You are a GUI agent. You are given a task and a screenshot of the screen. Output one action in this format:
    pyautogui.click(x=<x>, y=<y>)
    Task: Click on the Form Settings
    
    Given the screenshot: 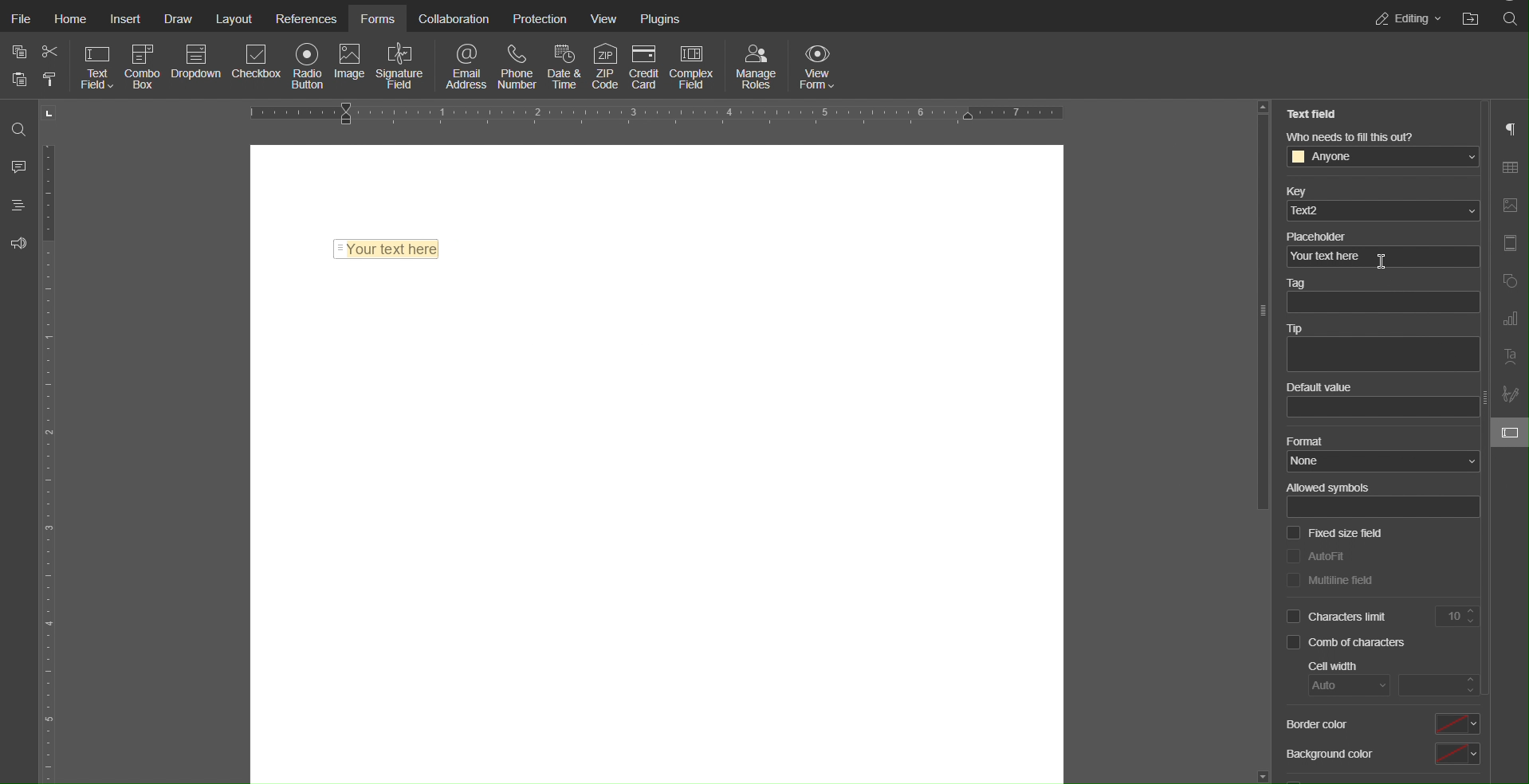 What is the action you would take?
    pyautogui.click(x=1511, y=436)
    